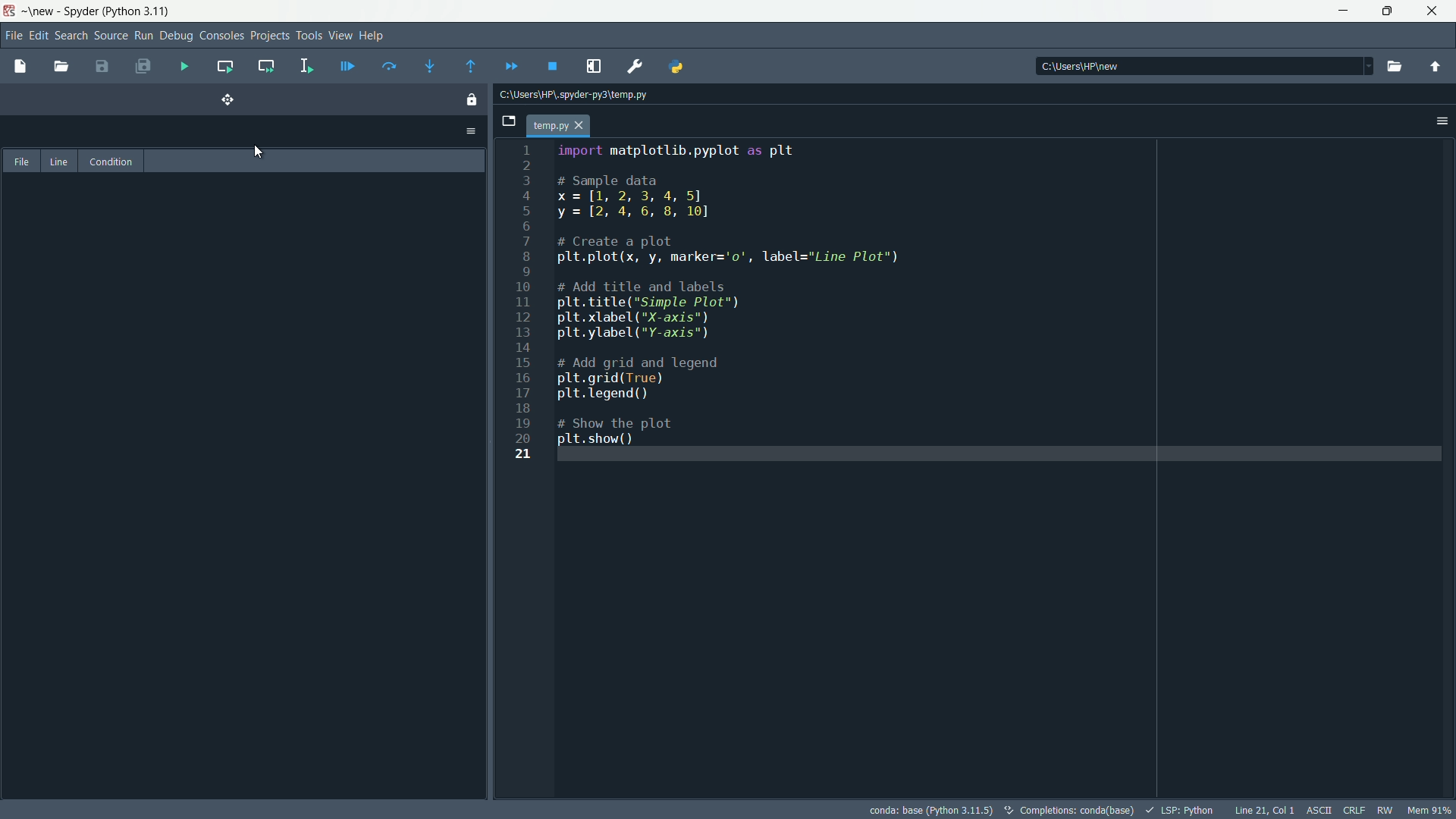 The image size is (1456, 819). Describe the element at coordinates (504, 123) in the screenshot. I see `browse tab` at that location.